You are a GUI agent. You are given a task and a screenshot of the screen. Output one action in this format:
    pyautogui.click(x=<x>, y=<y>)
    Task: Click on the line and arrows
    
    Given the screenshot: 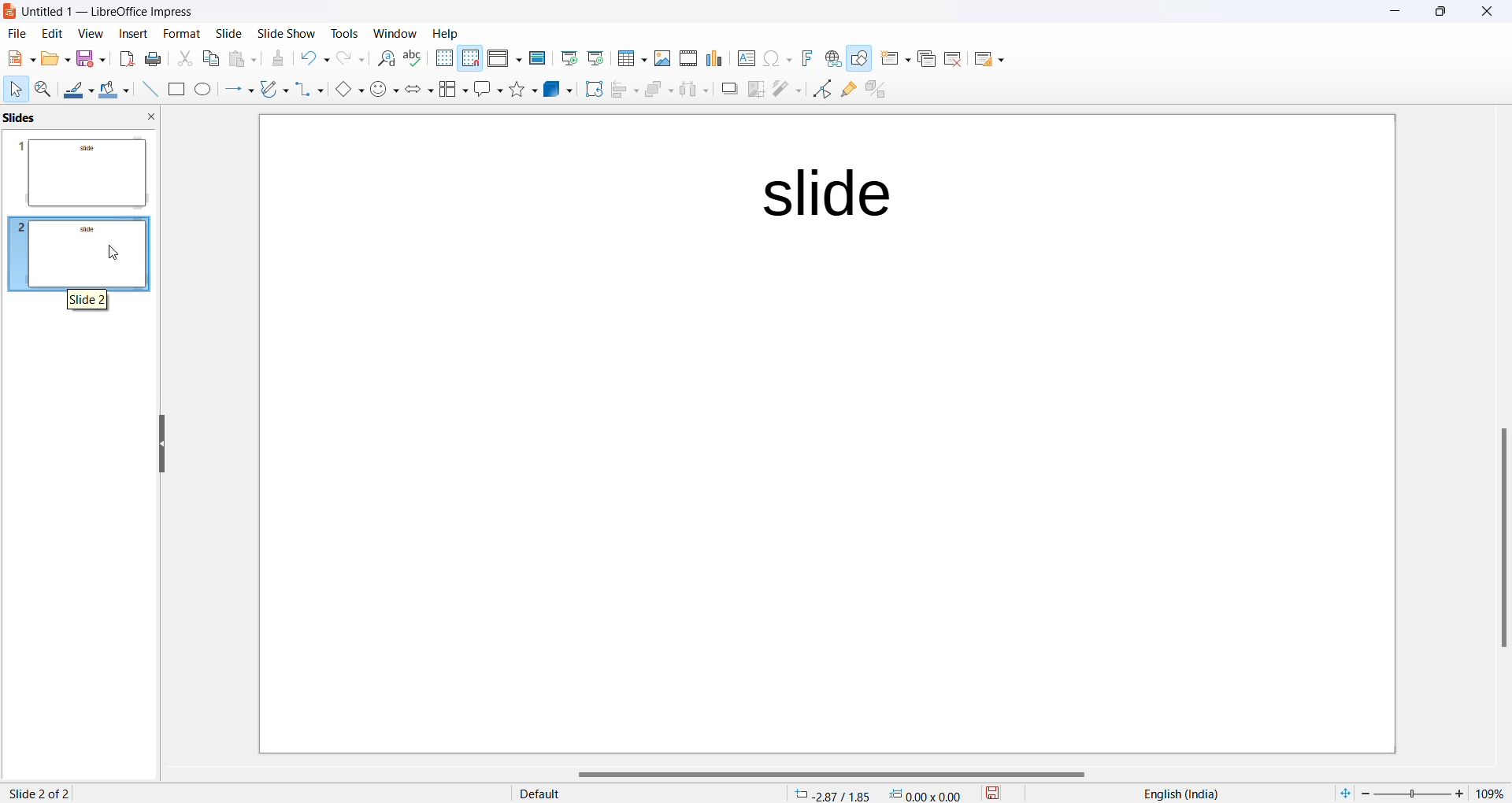 What is the action you would take?
    pyautogui.click(x=235, y=90)
    